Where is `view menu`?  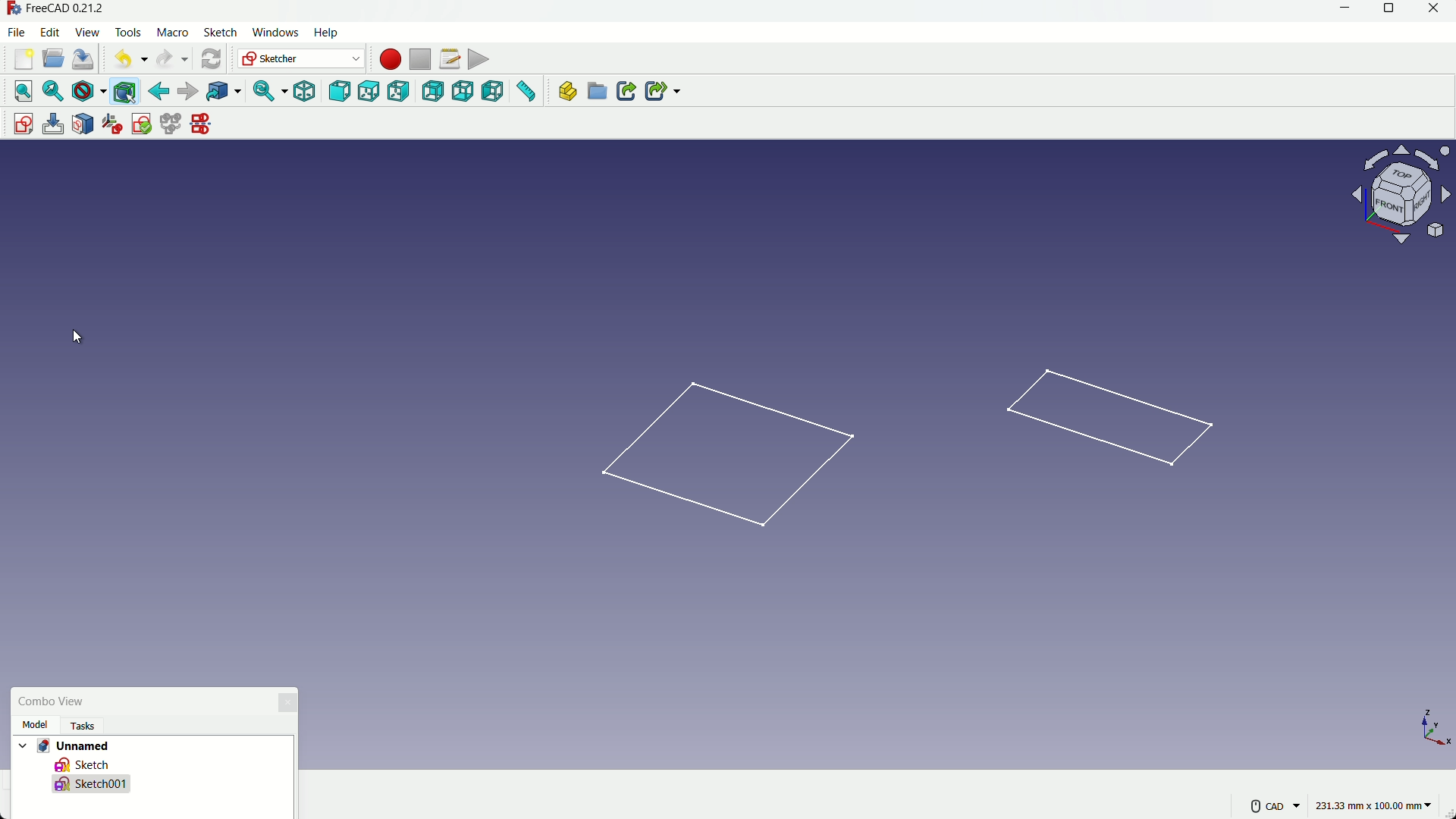 view menu is located at coordinates (89, 33).